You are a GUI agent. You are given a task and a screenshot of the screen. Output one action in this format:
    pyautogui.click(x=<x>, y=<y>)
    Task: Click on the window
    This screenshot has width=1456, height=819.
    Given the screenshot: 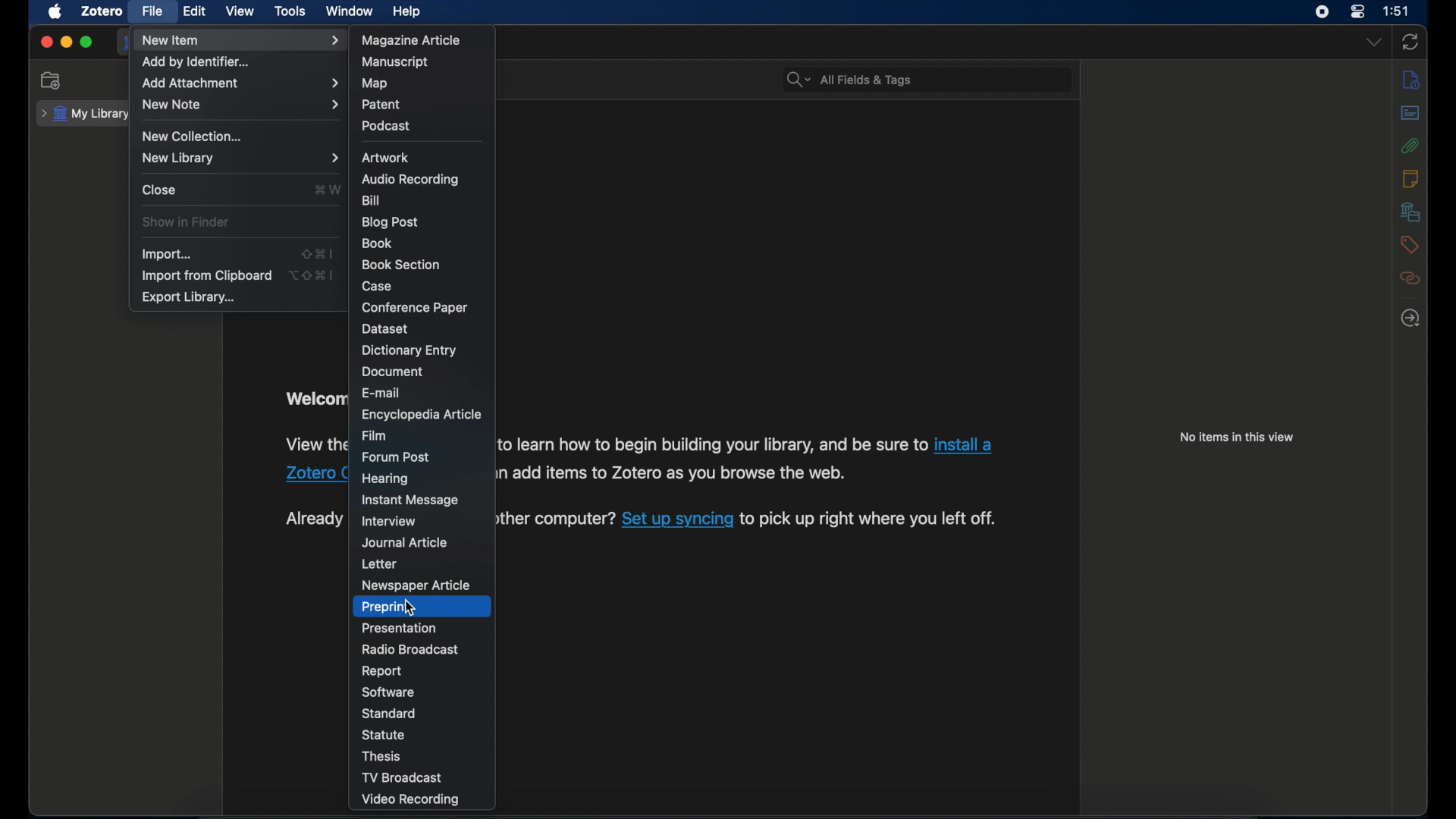 What is the action you would take?
    pyautogui.click(x=350, y=11)
    